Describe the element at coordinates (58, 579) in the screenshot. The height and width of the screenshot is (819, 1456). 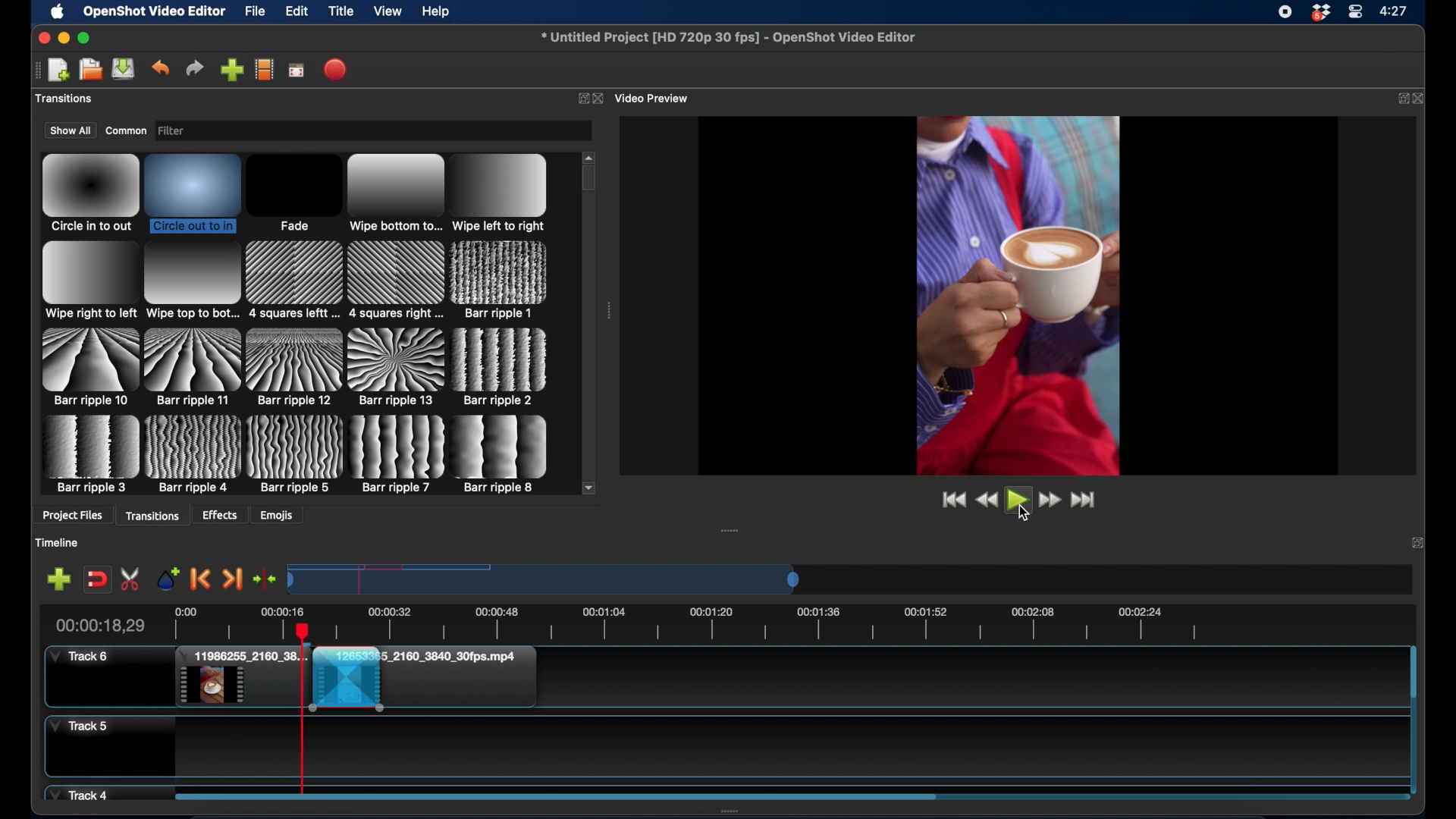
I see `add marker` at that location.